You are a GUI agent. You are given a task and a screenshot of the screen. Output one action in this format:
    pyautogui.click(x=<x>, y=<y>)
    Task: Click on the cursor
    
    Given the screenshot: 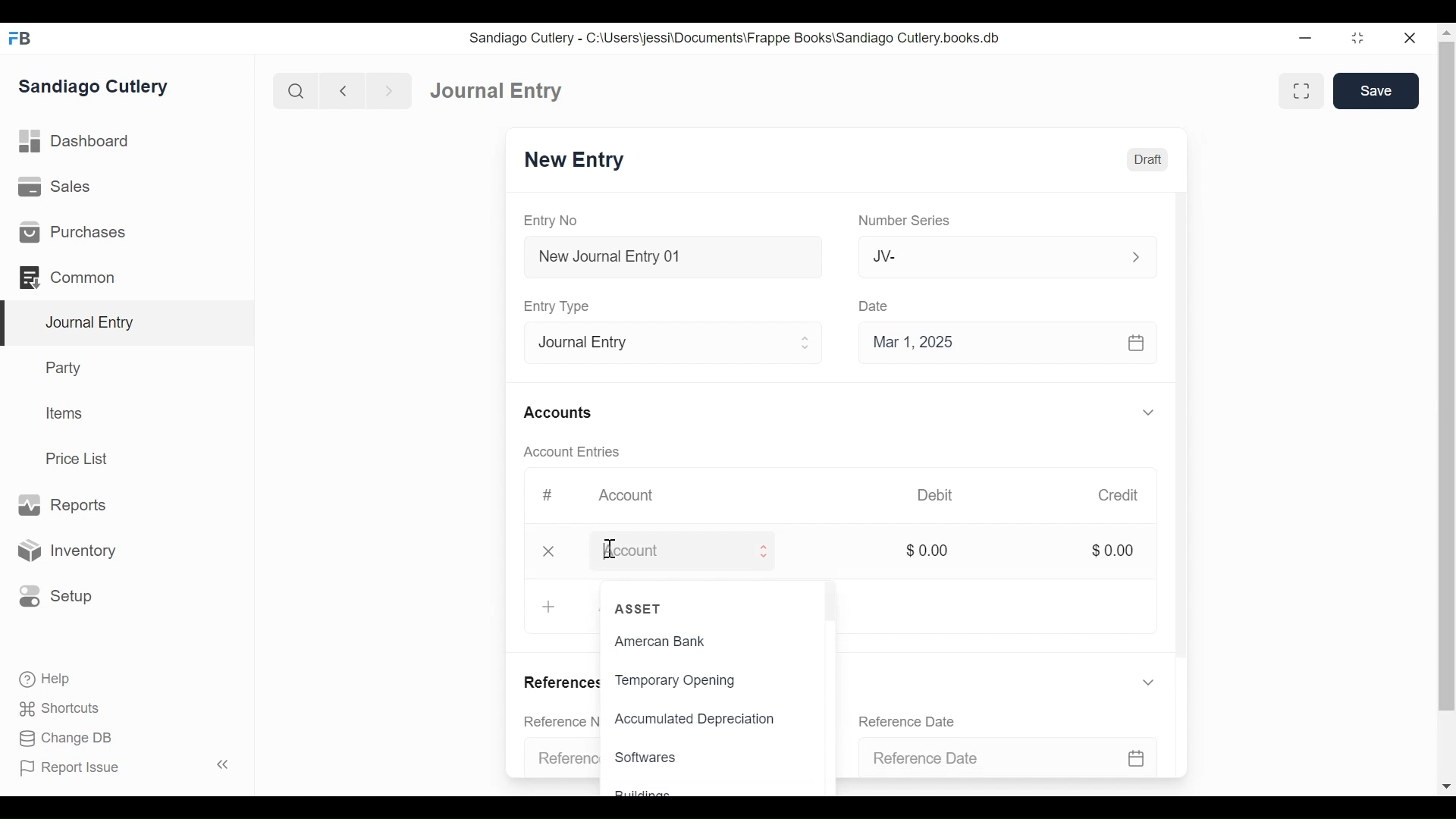 What is the action you would take?
    pyautogui.click(x=609, y=551)
    